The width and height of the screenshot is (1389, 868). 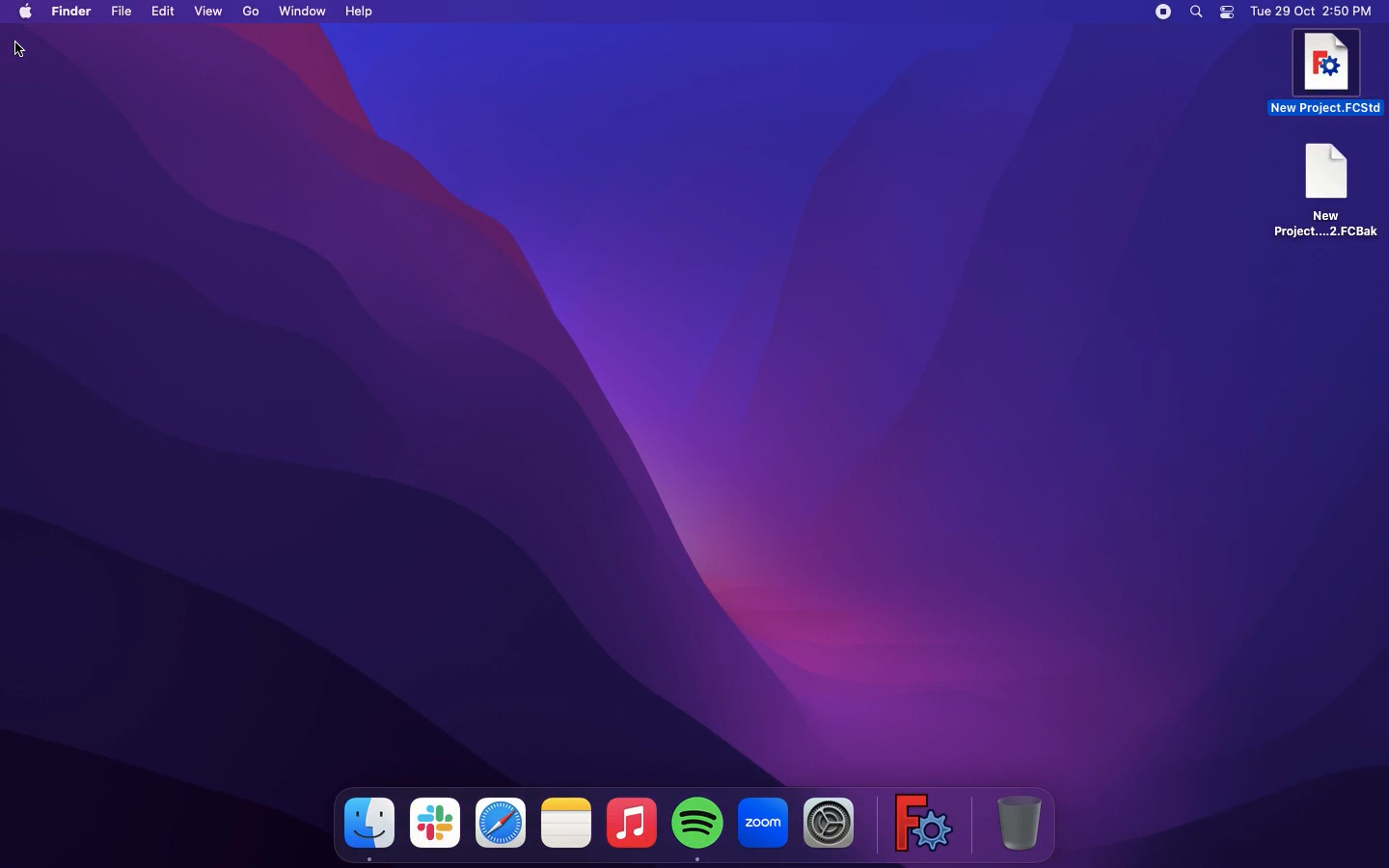 I want to click on Spotify, so click(x=696, y=826).